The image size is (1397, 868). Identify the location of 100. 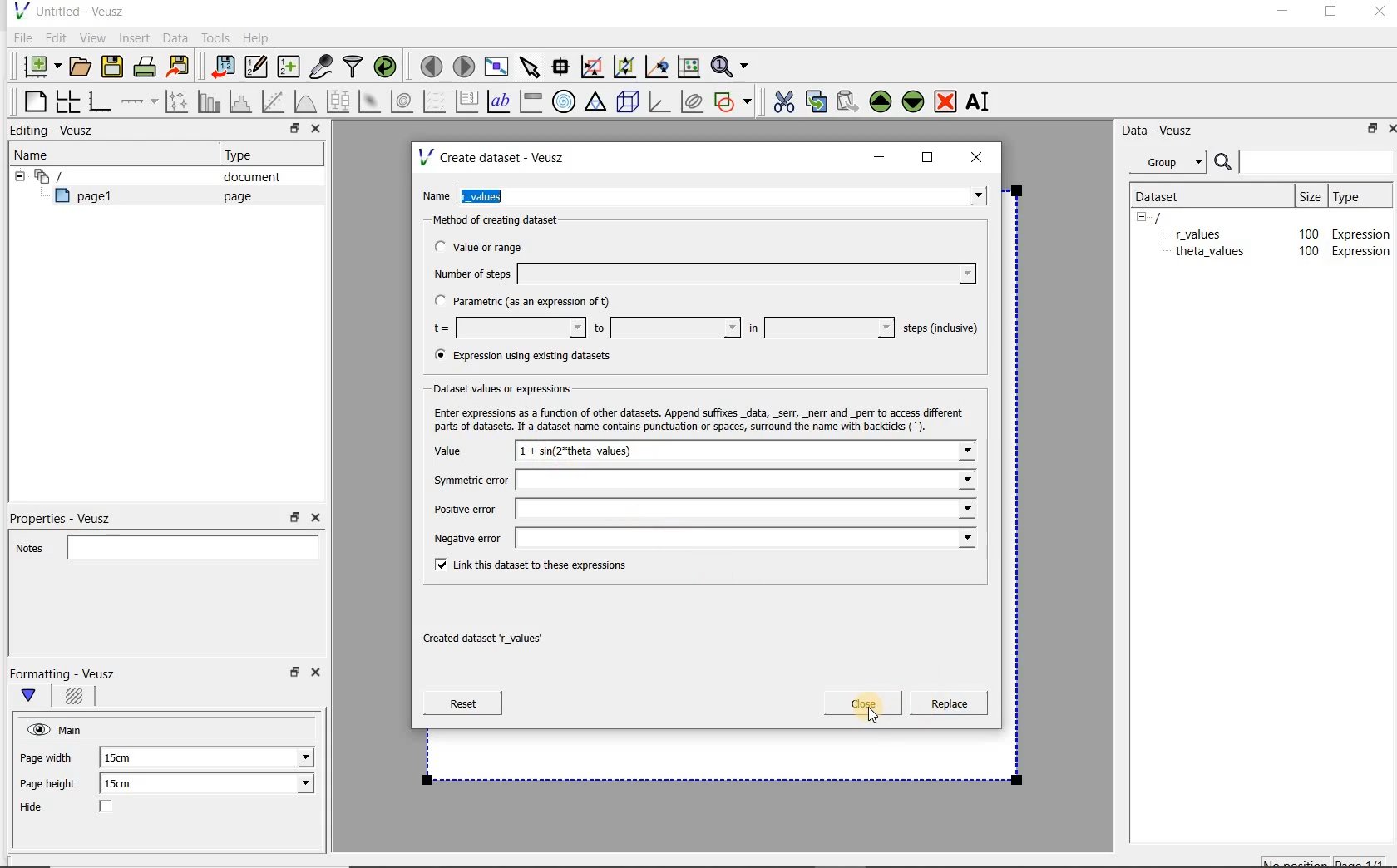
(1307, 252).